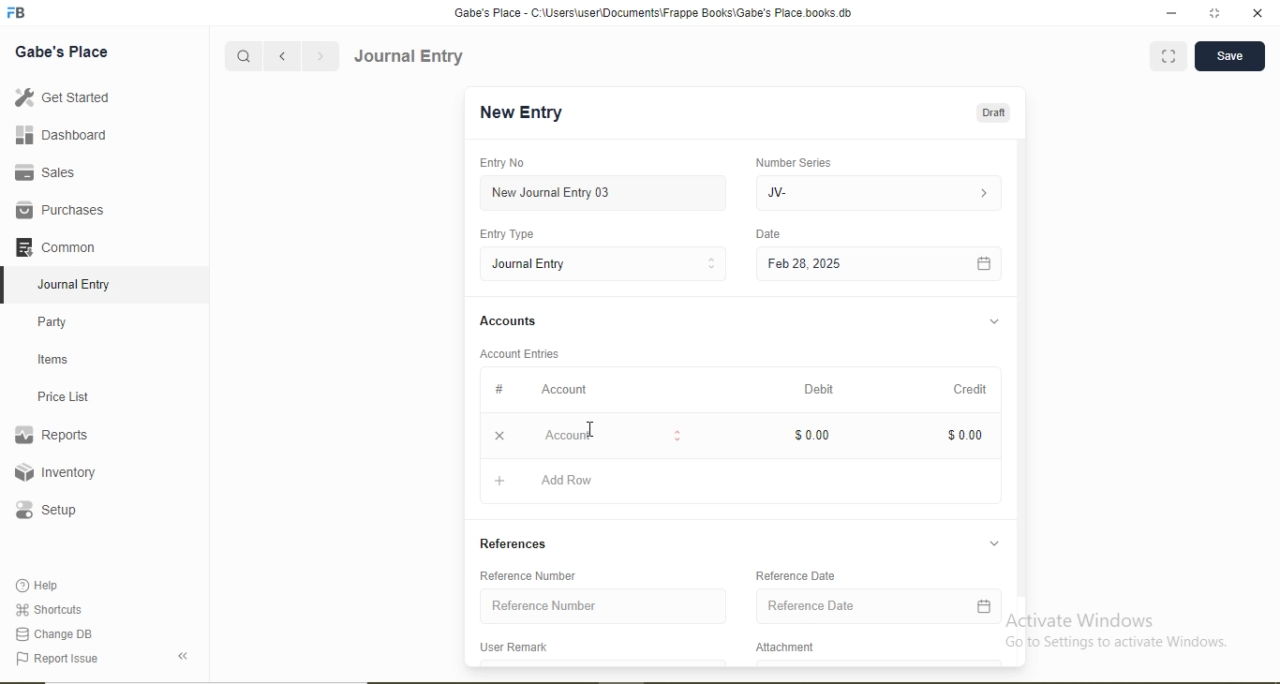 The height and width of the screenshot is (684, 1280). Describe the element at coordinates (501, 162) in the screenshot. I see `Entry No` at that location.